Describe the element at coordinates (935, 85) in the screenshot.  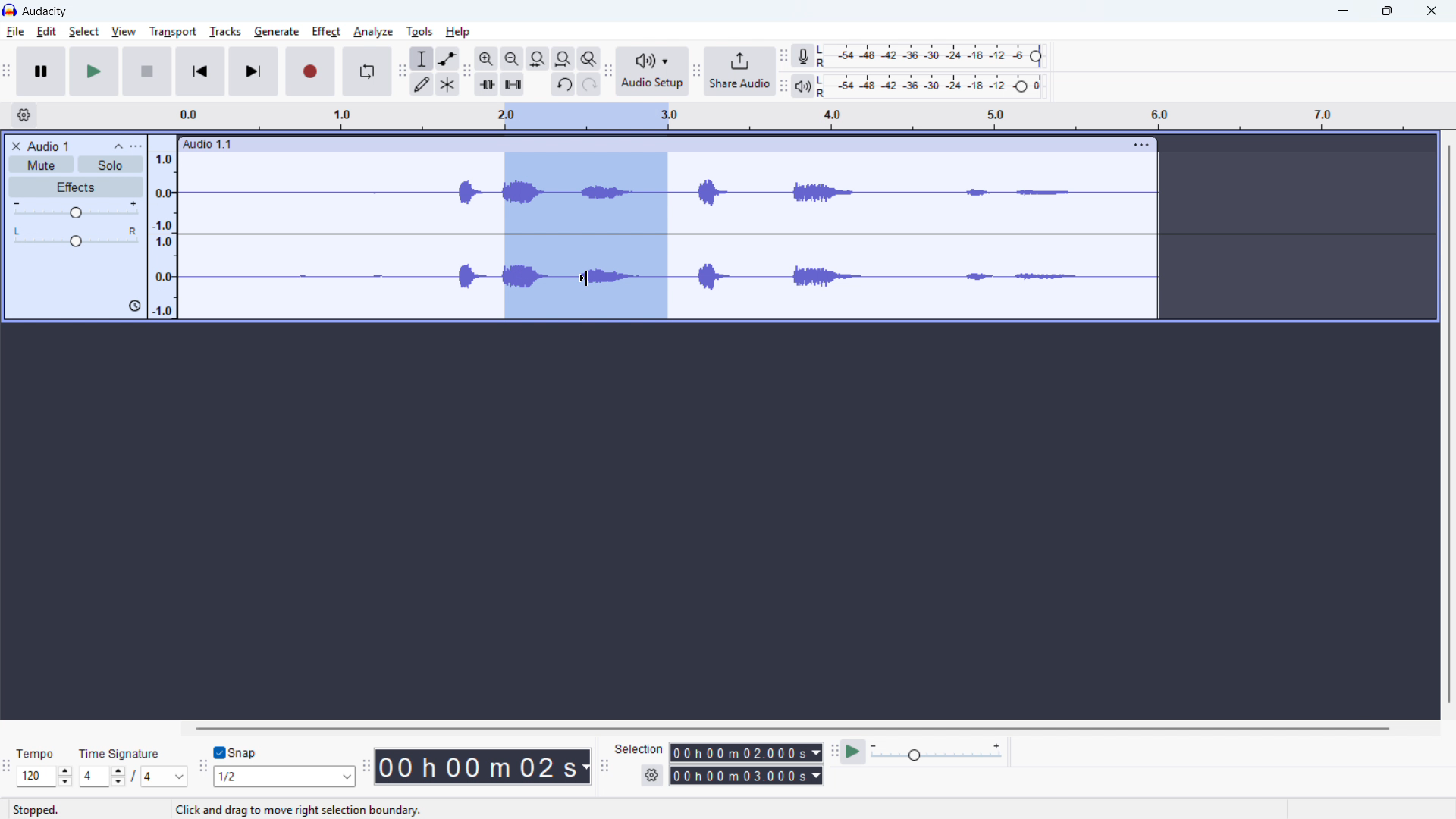
I see `Playback level` at that location.